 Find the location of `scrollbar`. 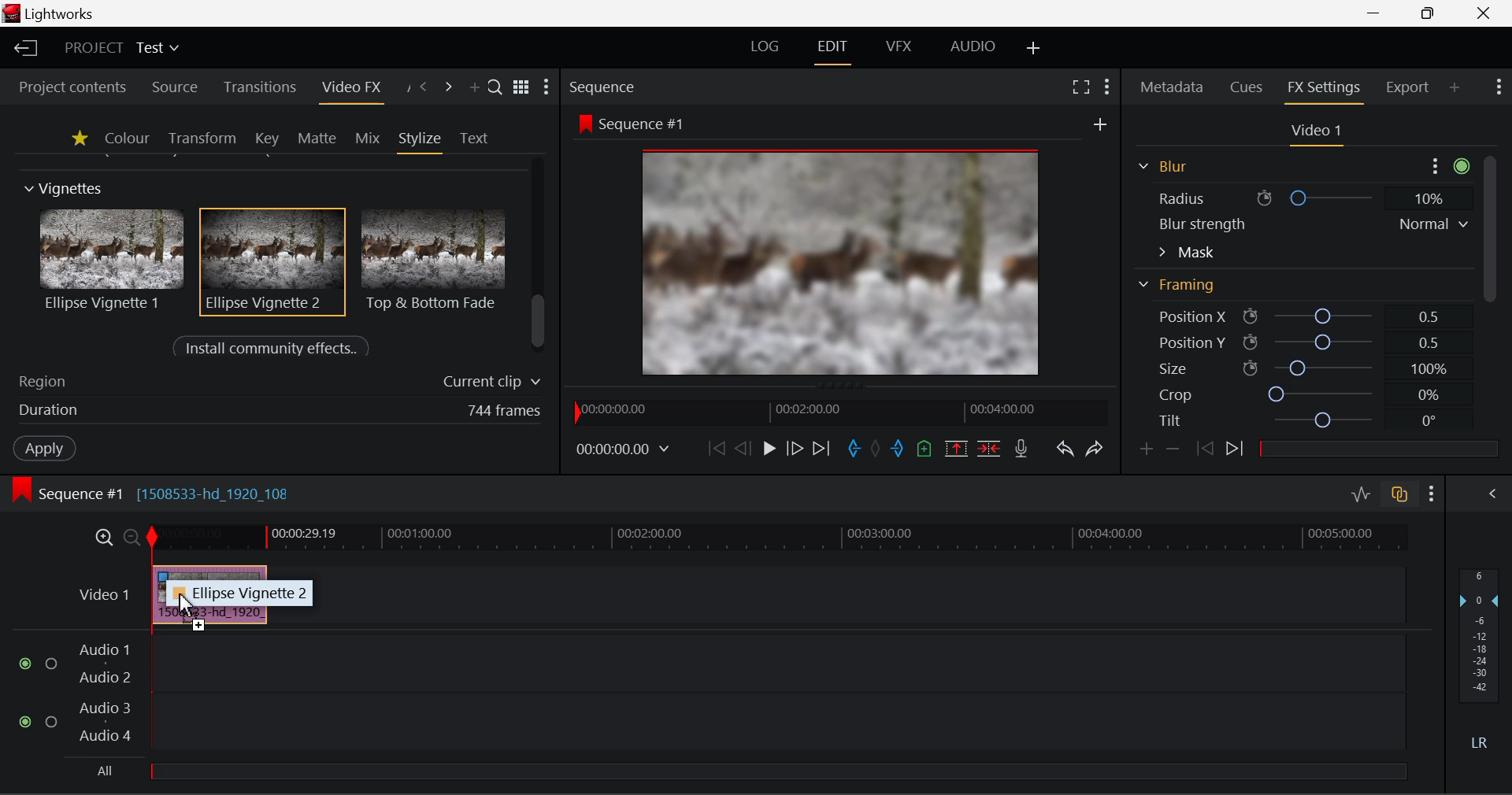

scrollbar is located at coordinates (540, 322).